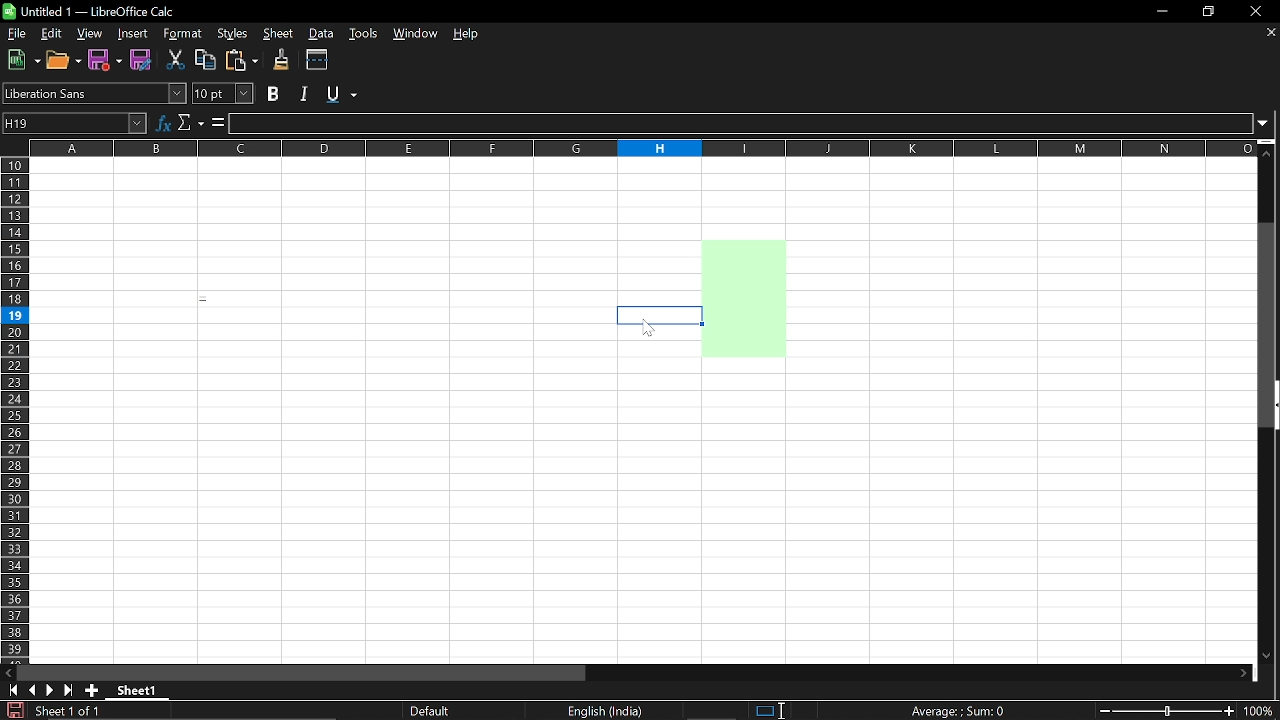  I want to click on Fillable cells, so click(409, 521).